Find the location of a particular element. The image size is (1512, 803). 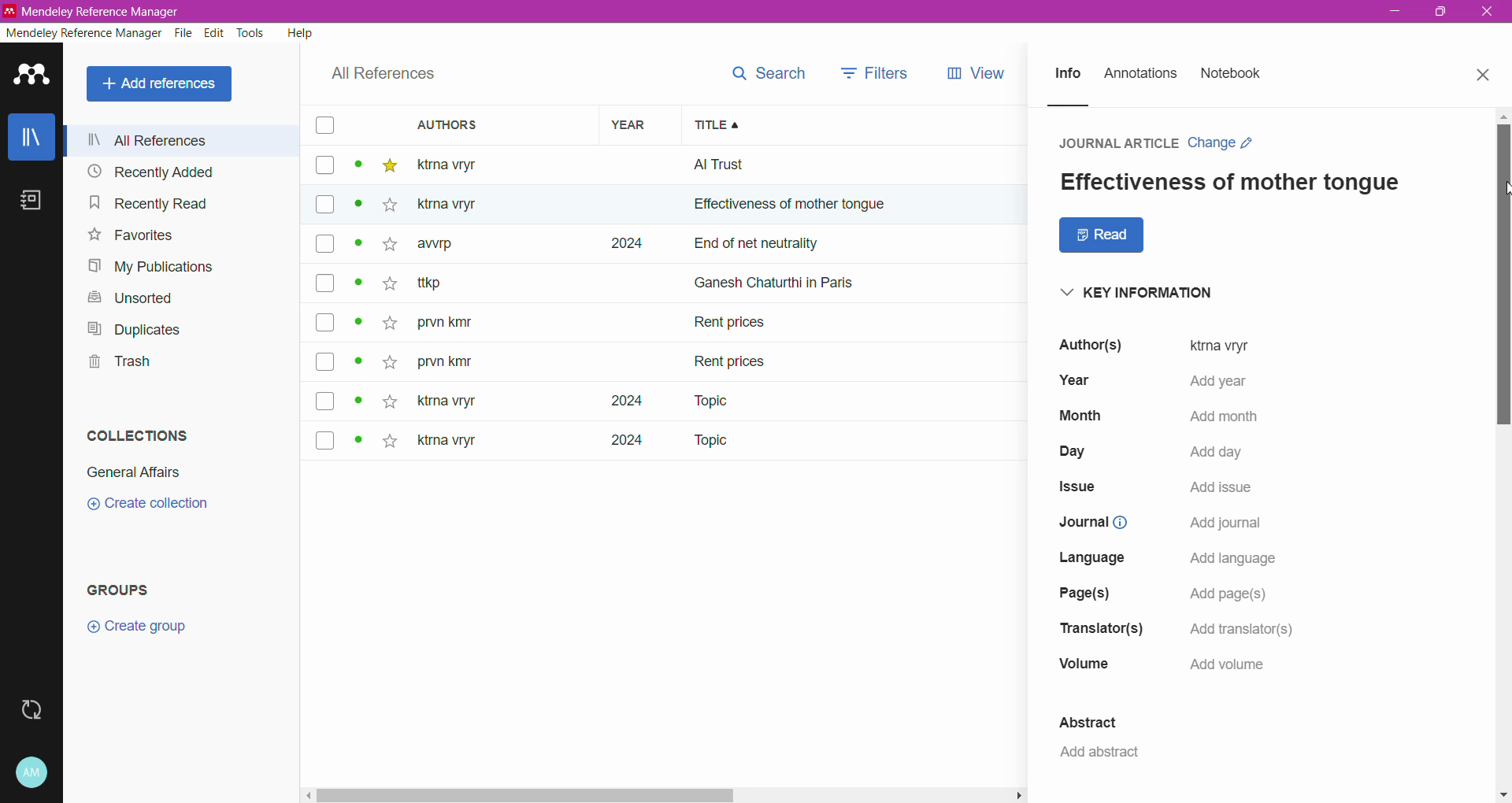

Topic is located at coordinates (700, 401).